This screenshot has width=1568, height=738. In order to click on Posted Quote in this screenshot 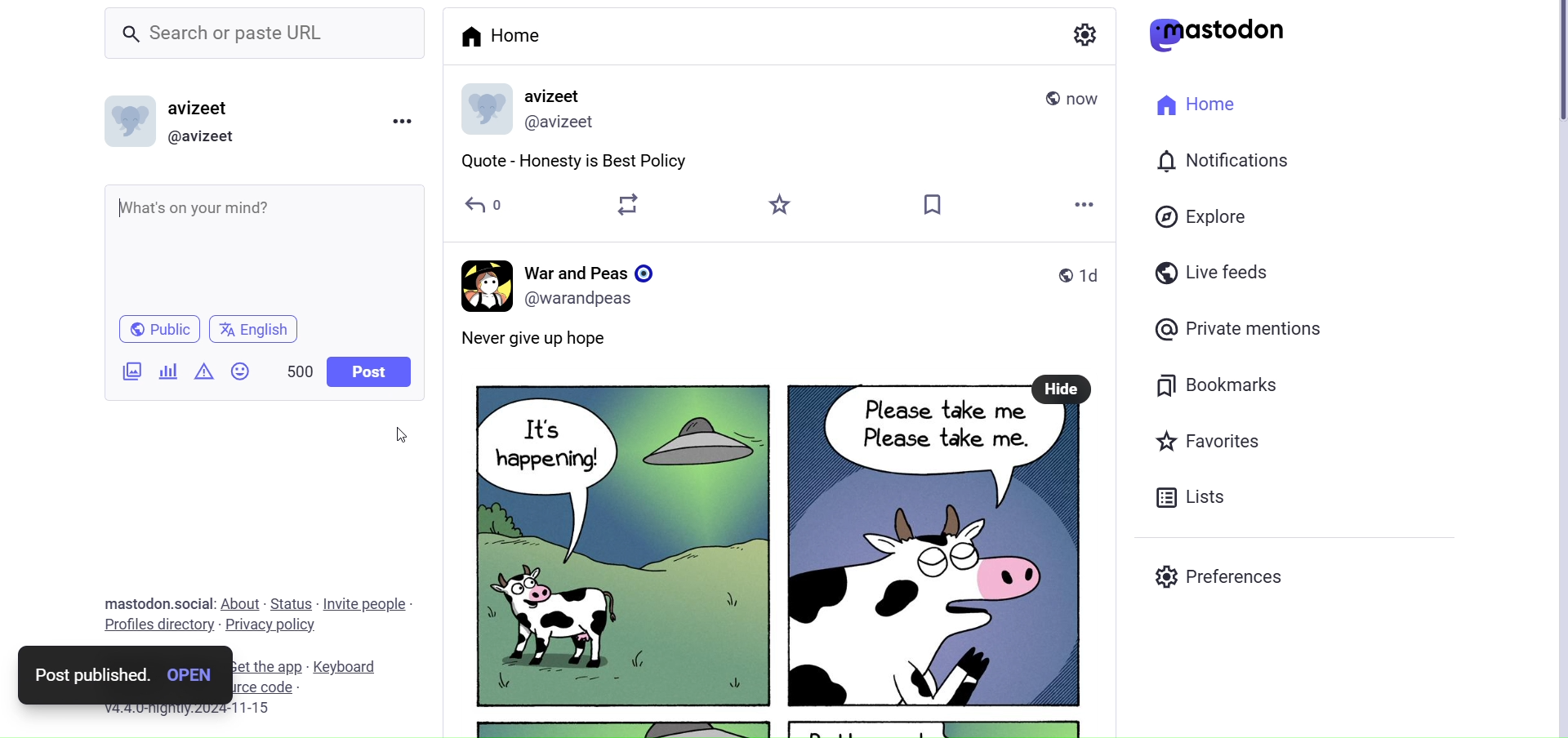, I will do `click(574, 159)`.